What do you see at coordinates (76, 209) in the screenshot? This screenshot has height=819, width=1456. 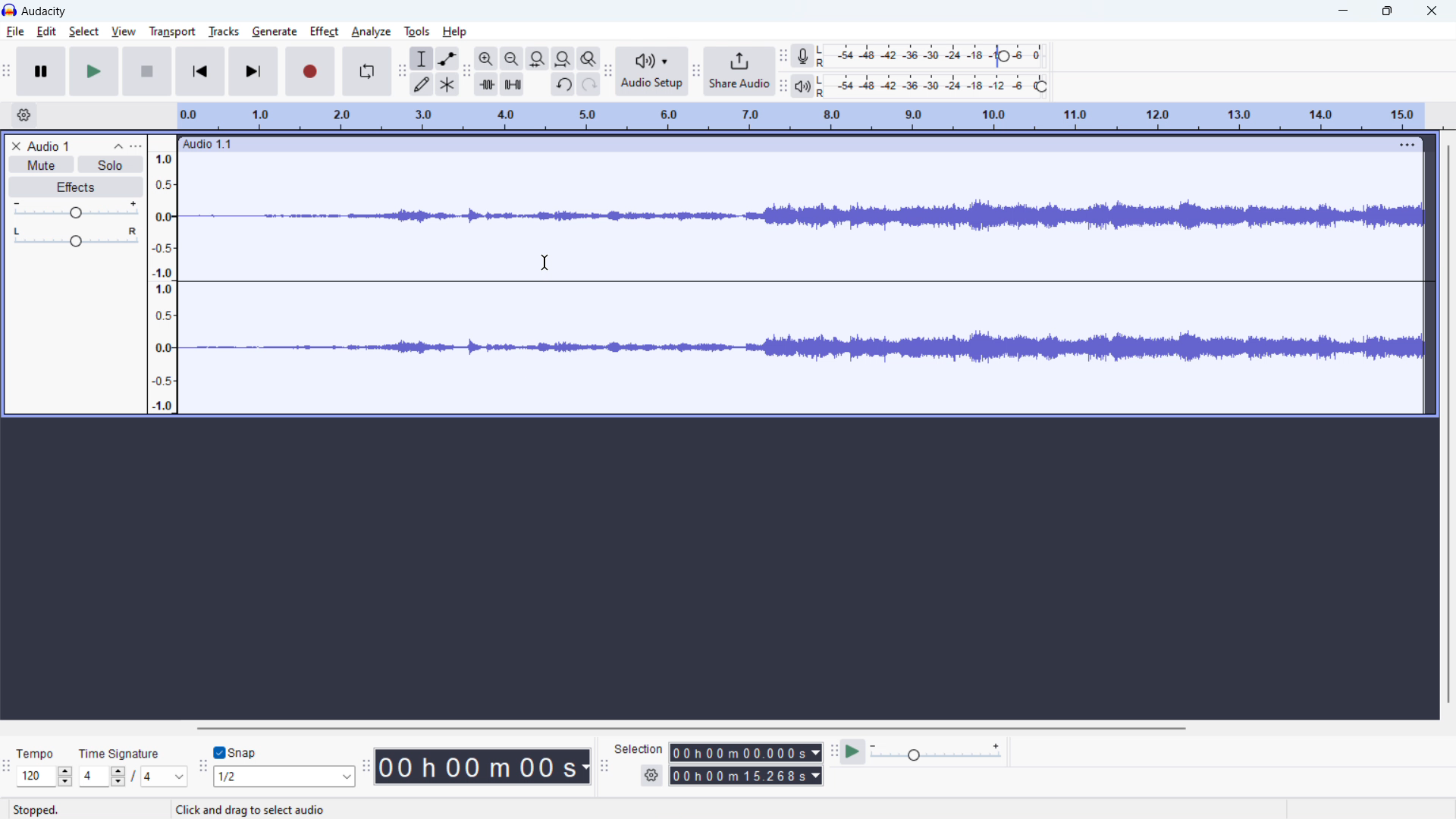 I see `volume` at bounding box center [76, 209].